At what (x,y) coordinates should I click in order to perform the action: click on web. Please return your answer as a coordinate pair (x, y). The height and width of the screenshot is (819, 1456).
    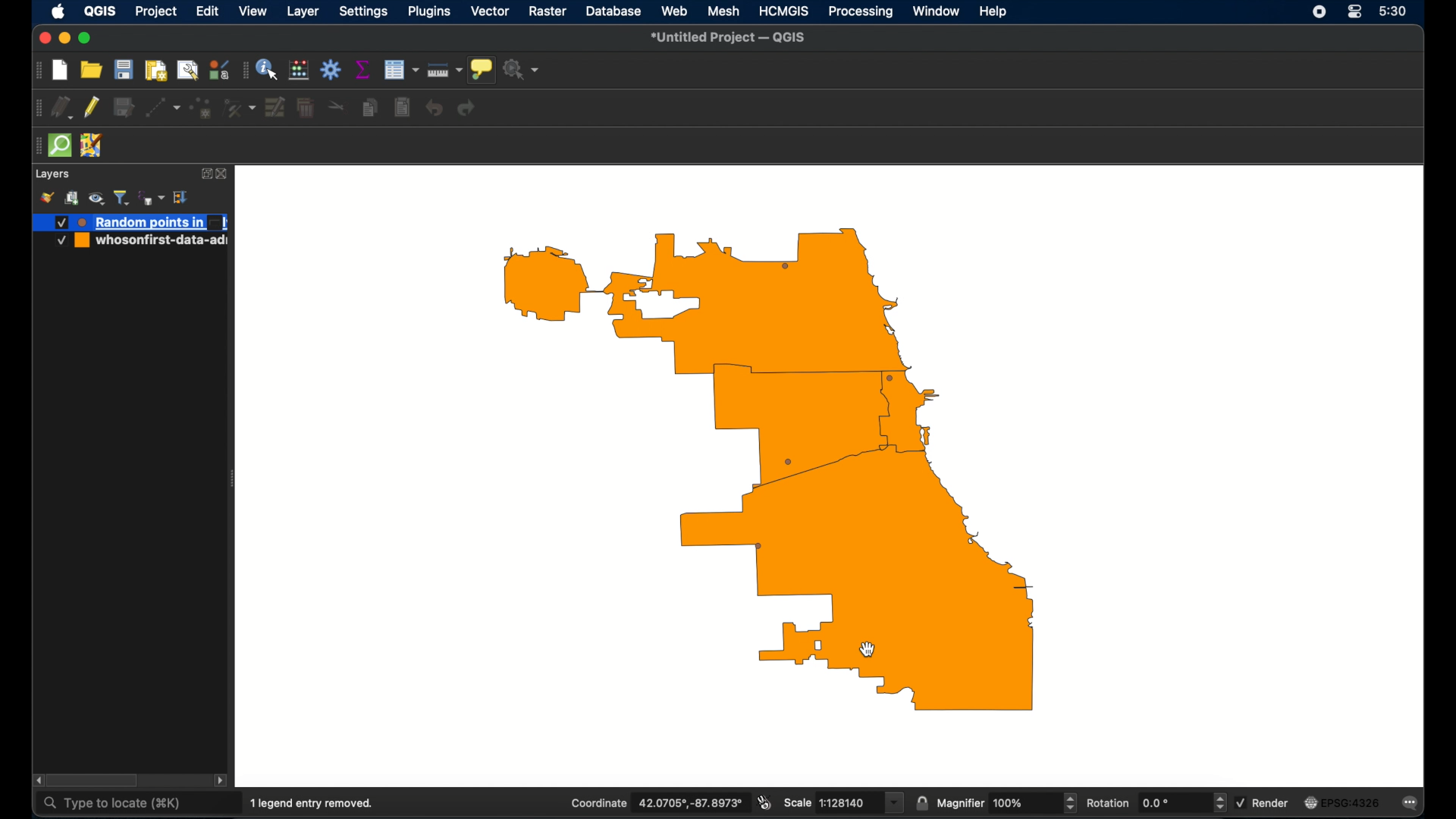
    Looking at the image, I should click on (674, 11).